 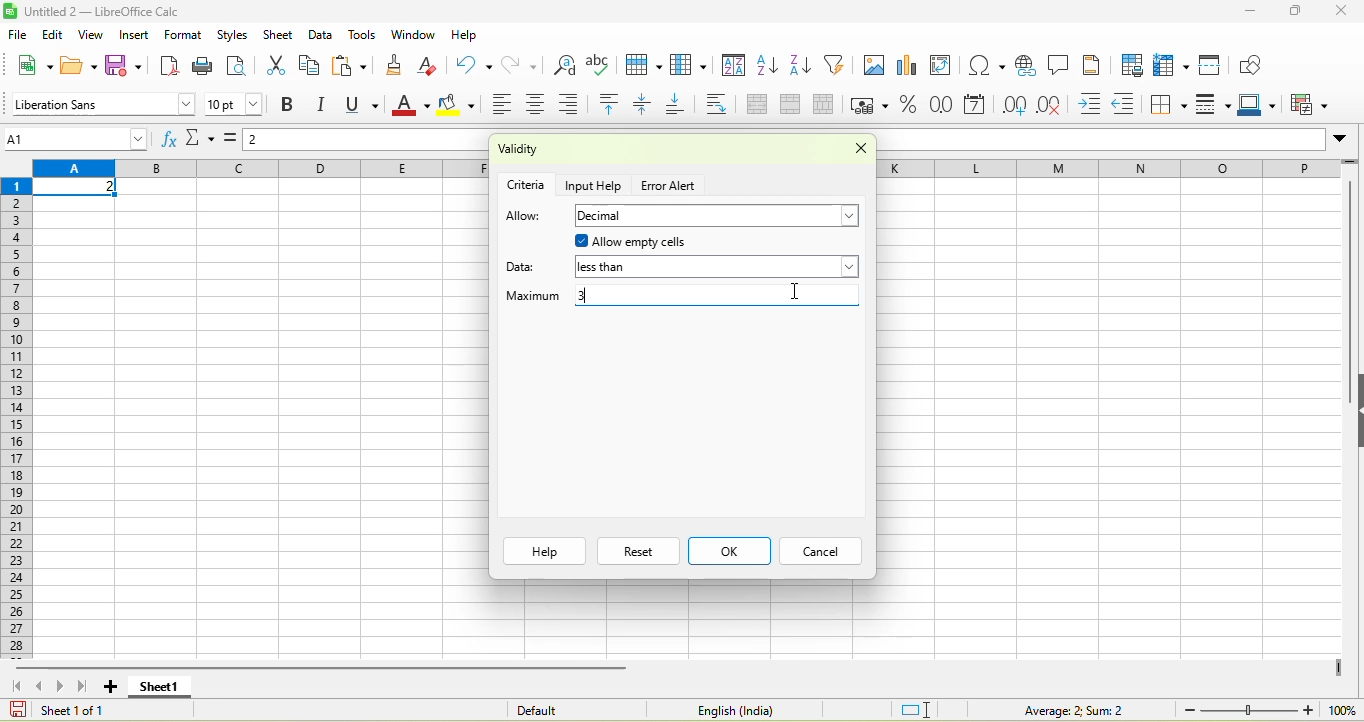 What do you see at coordinates (563, 709) in the screenshot?
I see `default` at bounding box center [563, 709].